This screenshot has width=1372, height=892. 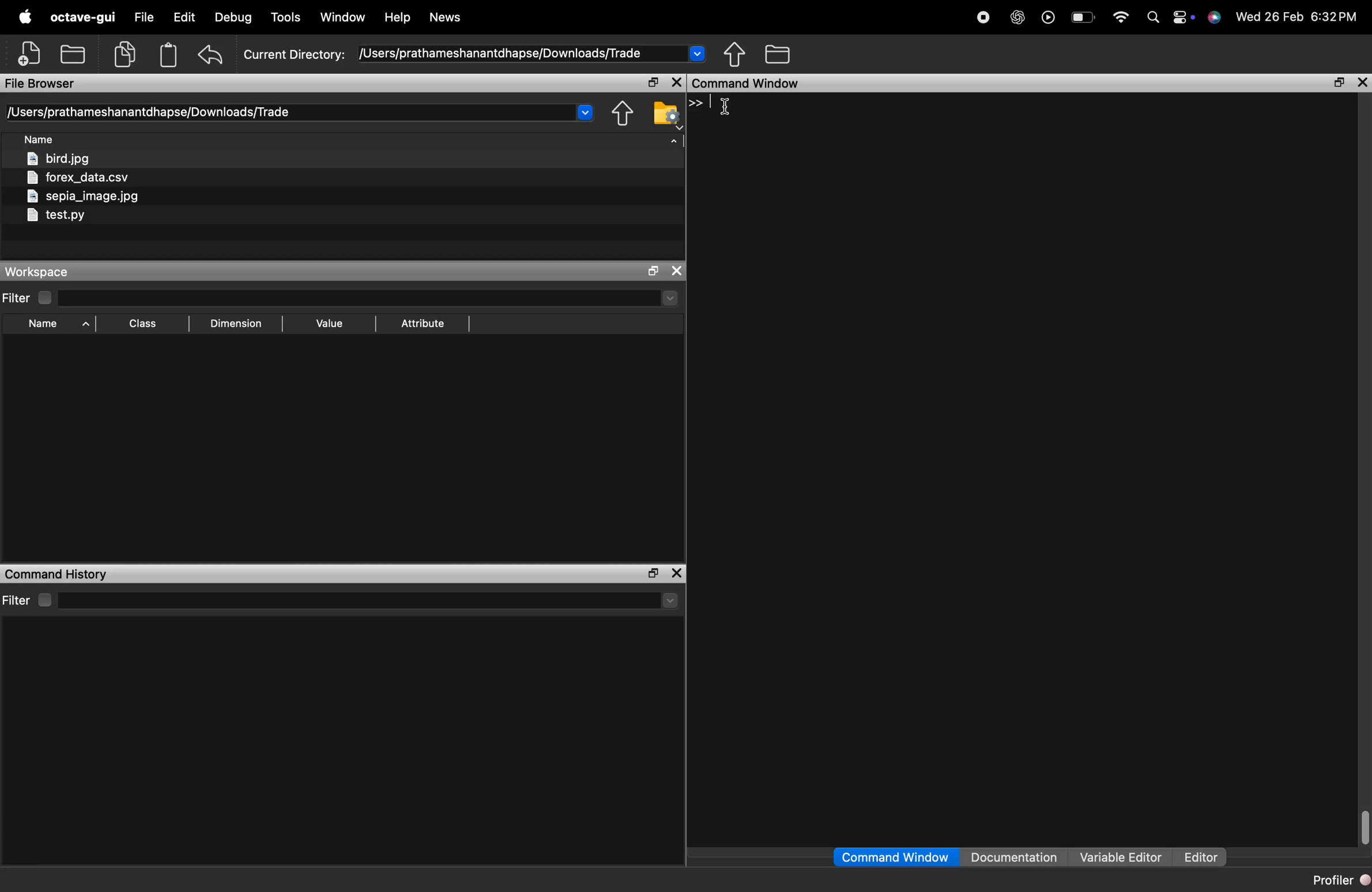 I want to click on select directory, so click(x=375, y=299).